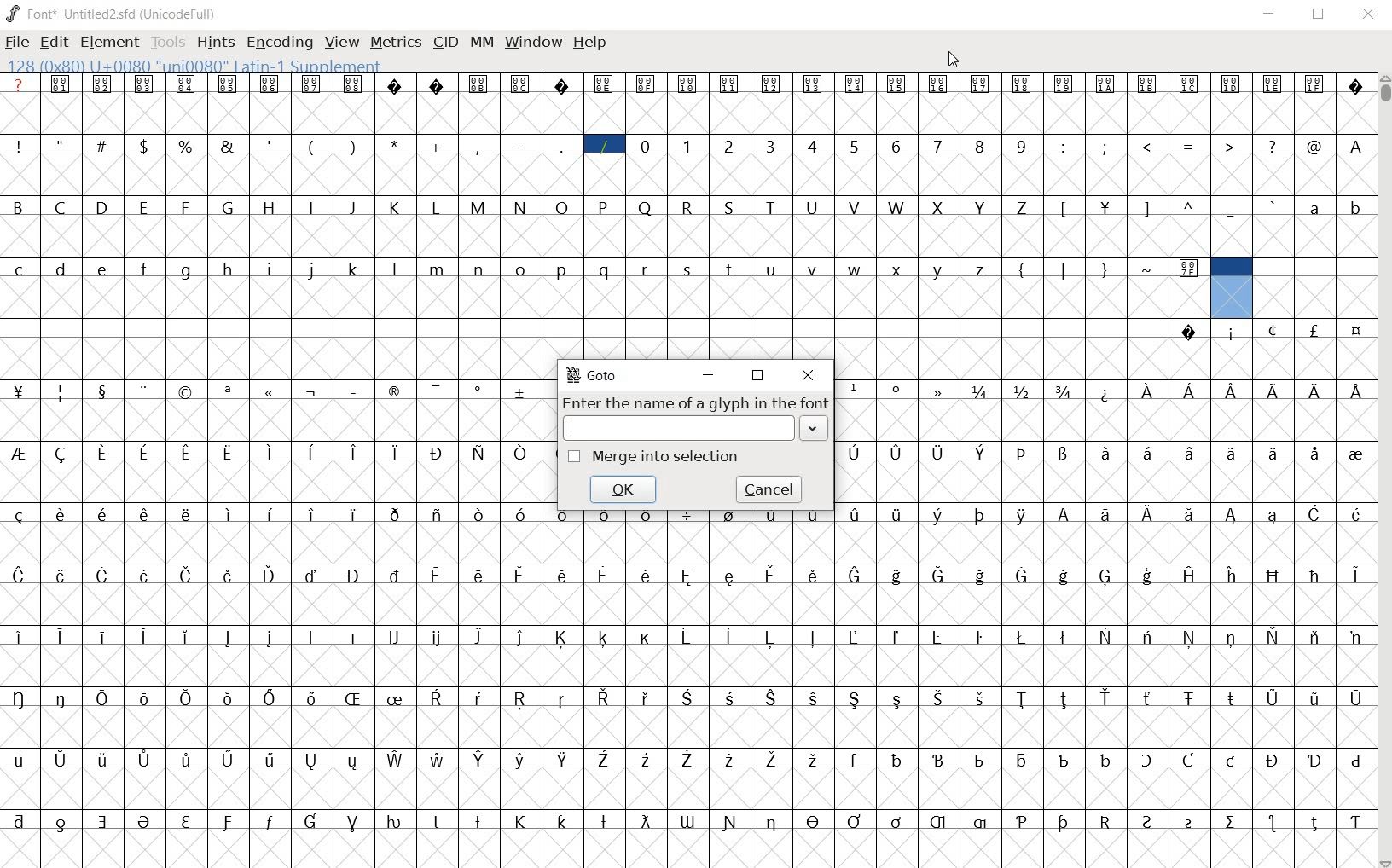 The width and height of the screenshot is (1392, 868). I want to click on Symbol, so click(396, 821).